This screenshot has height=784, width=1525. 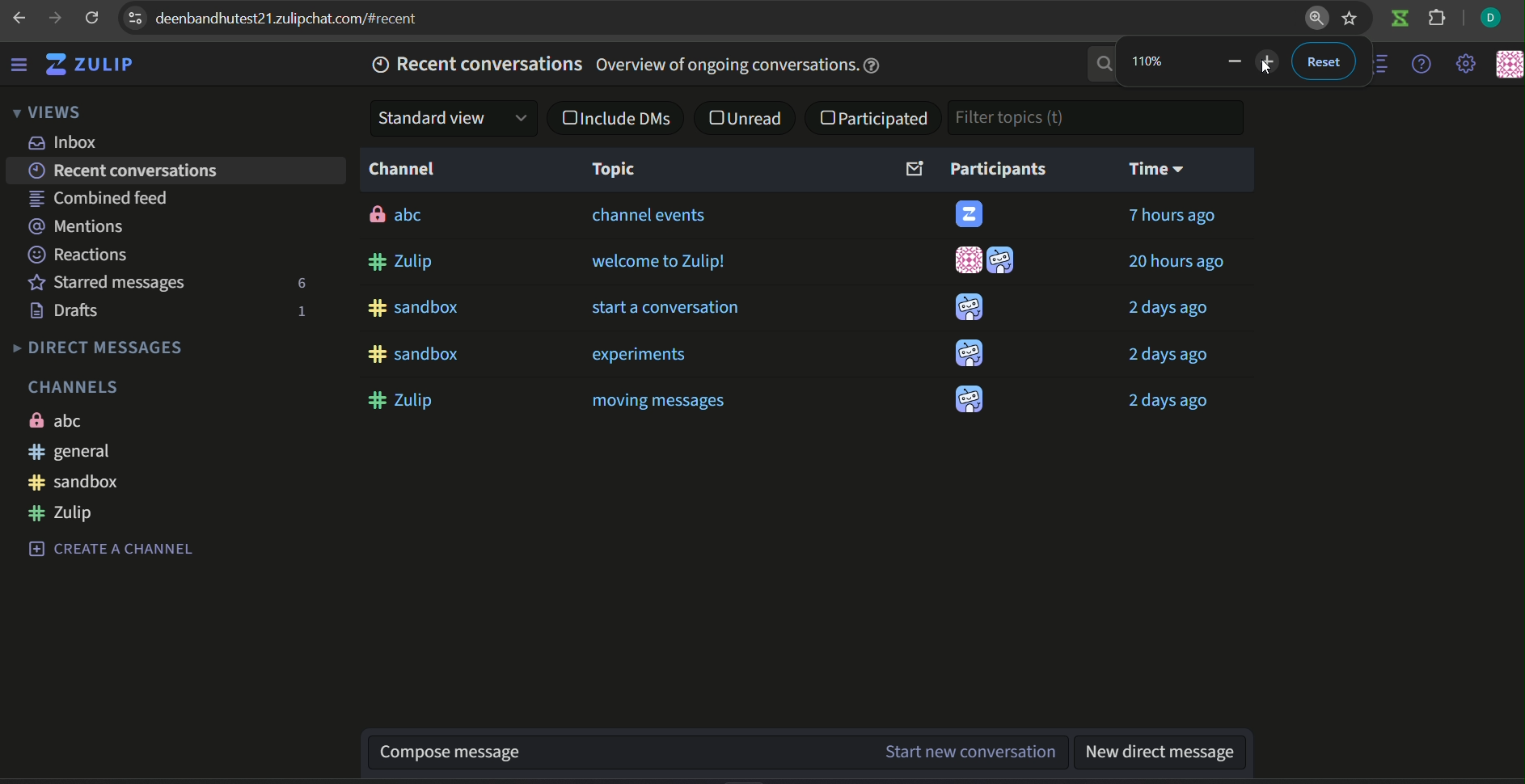 What do you see at coordinates (81, 227) in the screenshot?
I see `mentions` at bounding box center [81, 227].